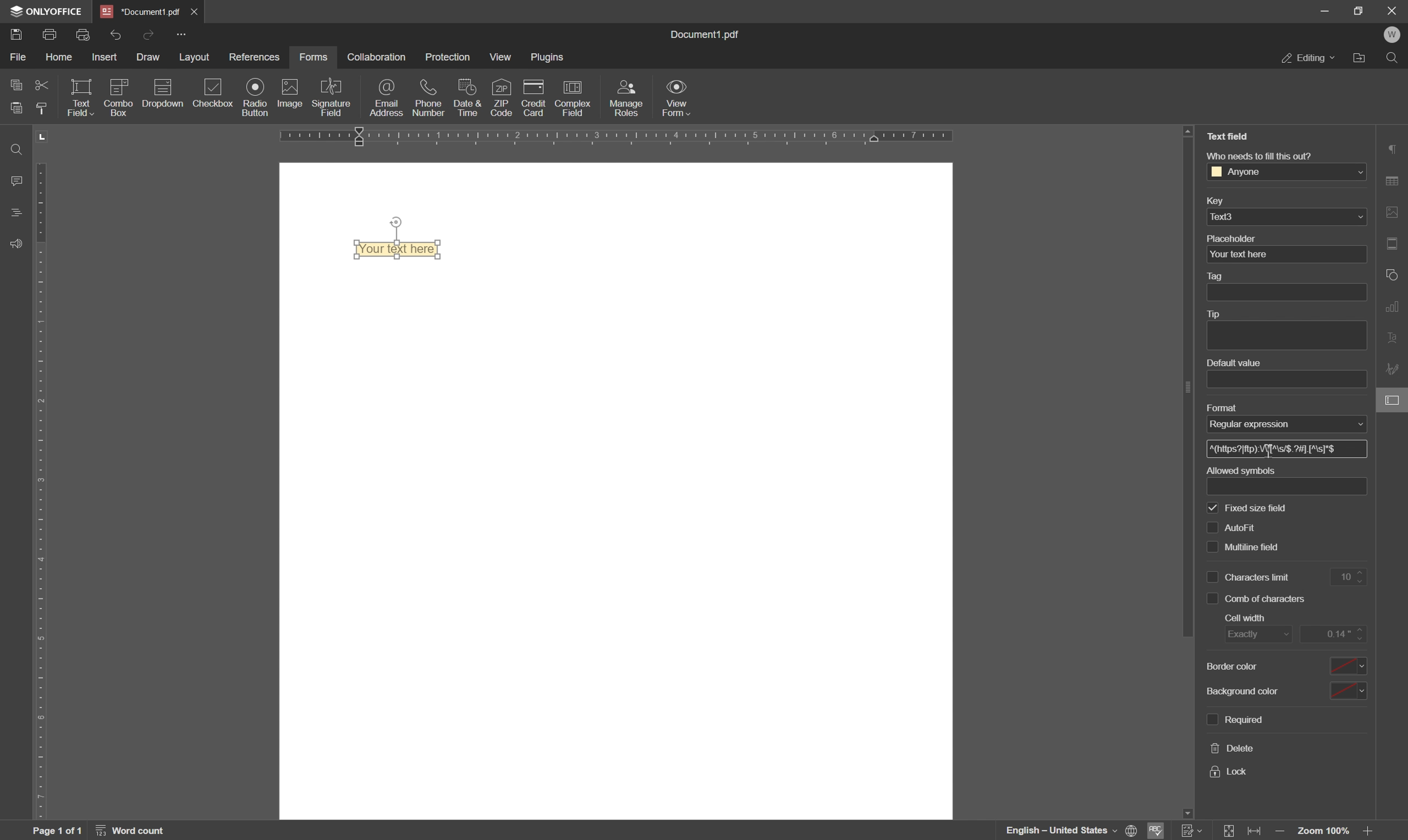  I want to click on auto fill, so click(1260, 505).